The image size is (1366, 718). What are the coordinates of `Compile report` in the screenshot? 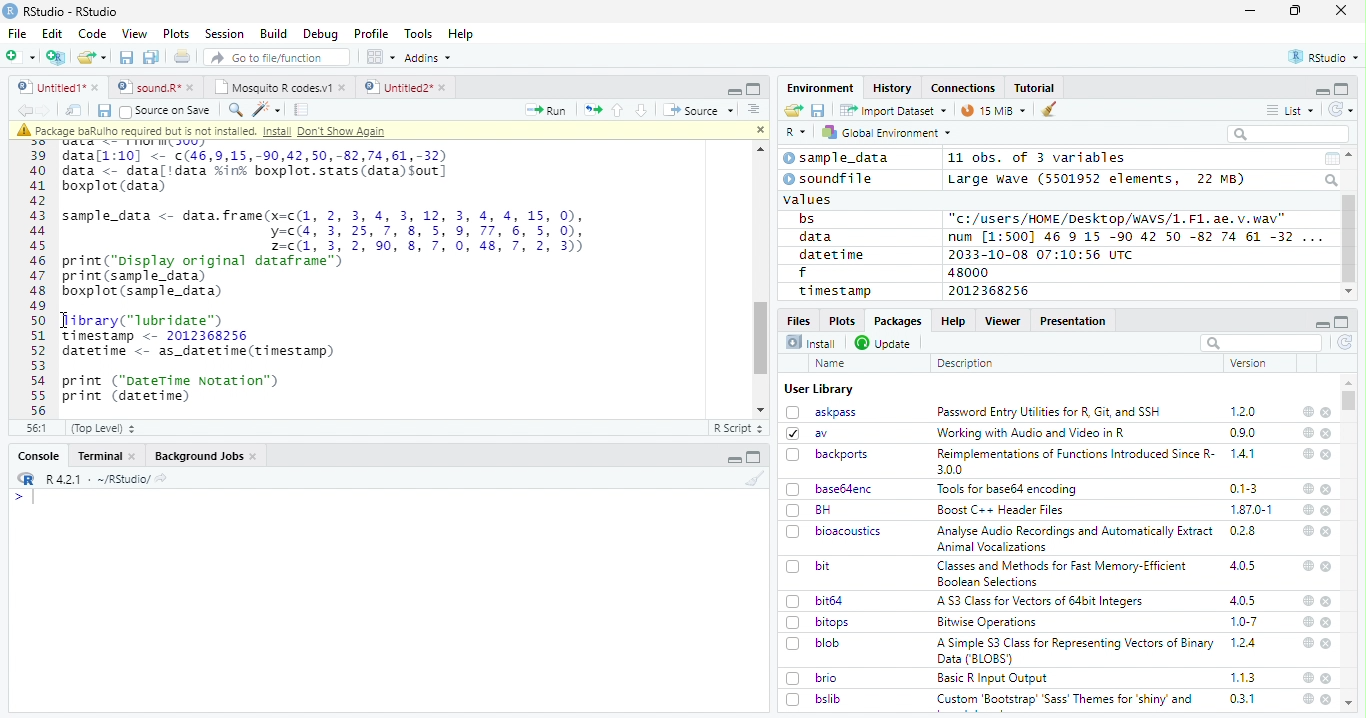 It's located at (302, 110).